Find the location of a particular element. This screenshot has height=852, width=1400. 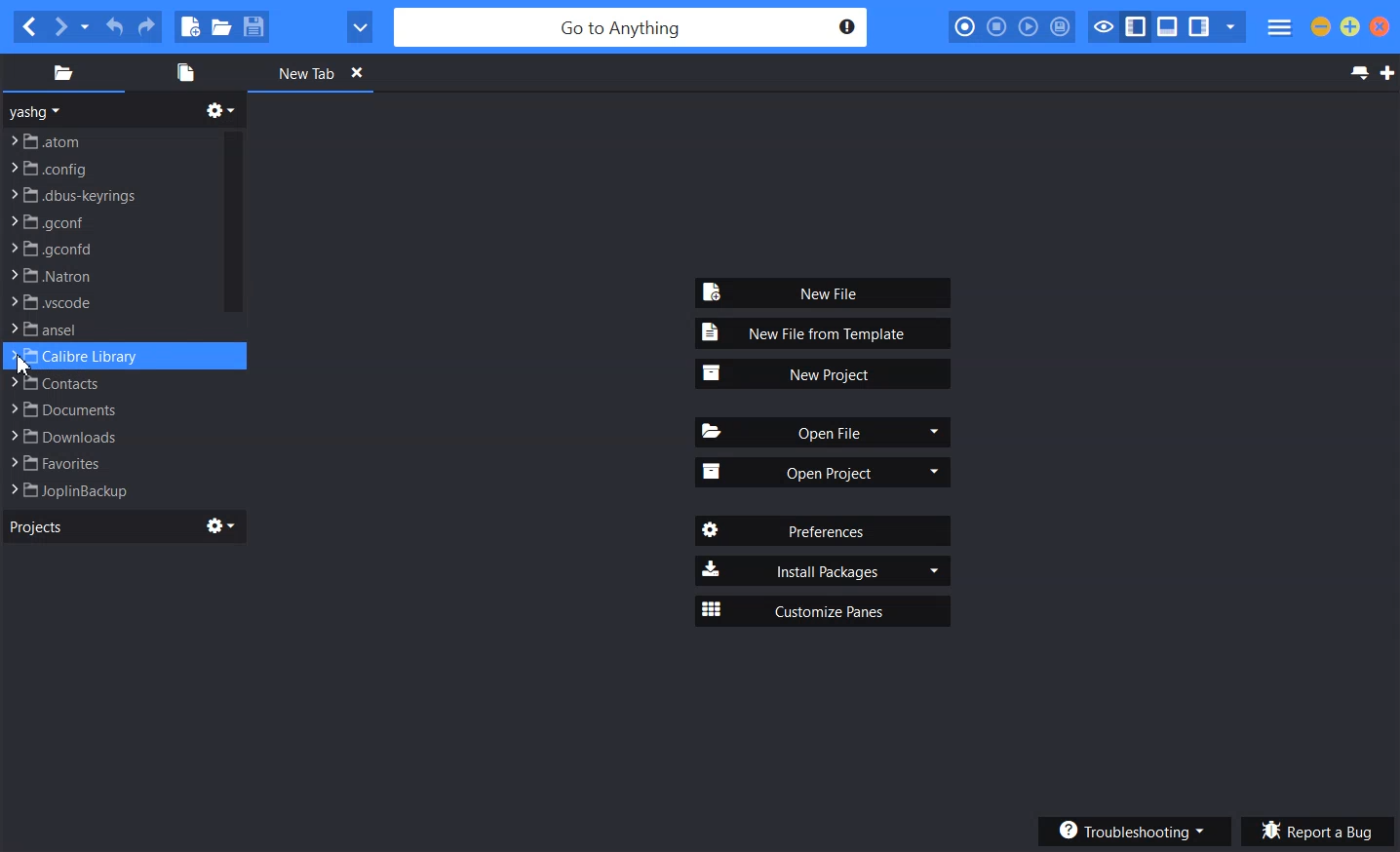

Save file is located at coordinates (253, 26).